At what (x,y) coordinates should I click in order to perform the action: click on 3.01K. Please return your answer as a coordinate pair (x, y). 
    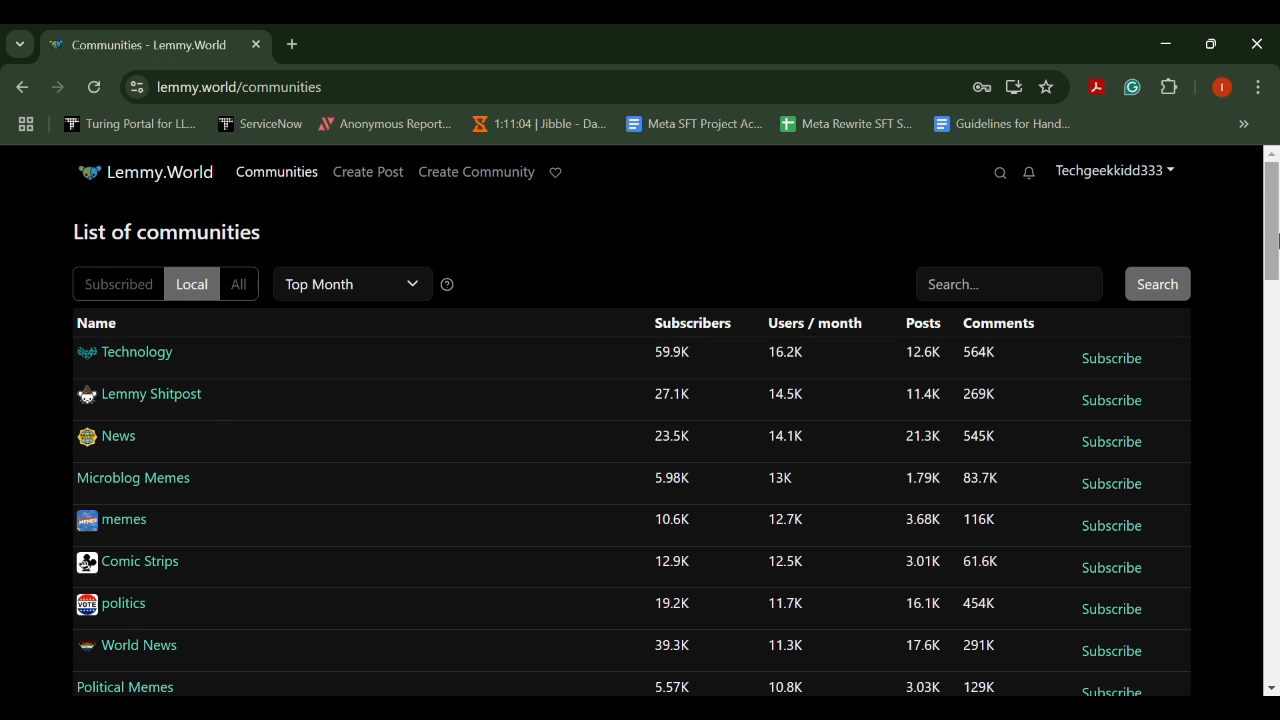
    Looking at the image, I should click on (920, 562).